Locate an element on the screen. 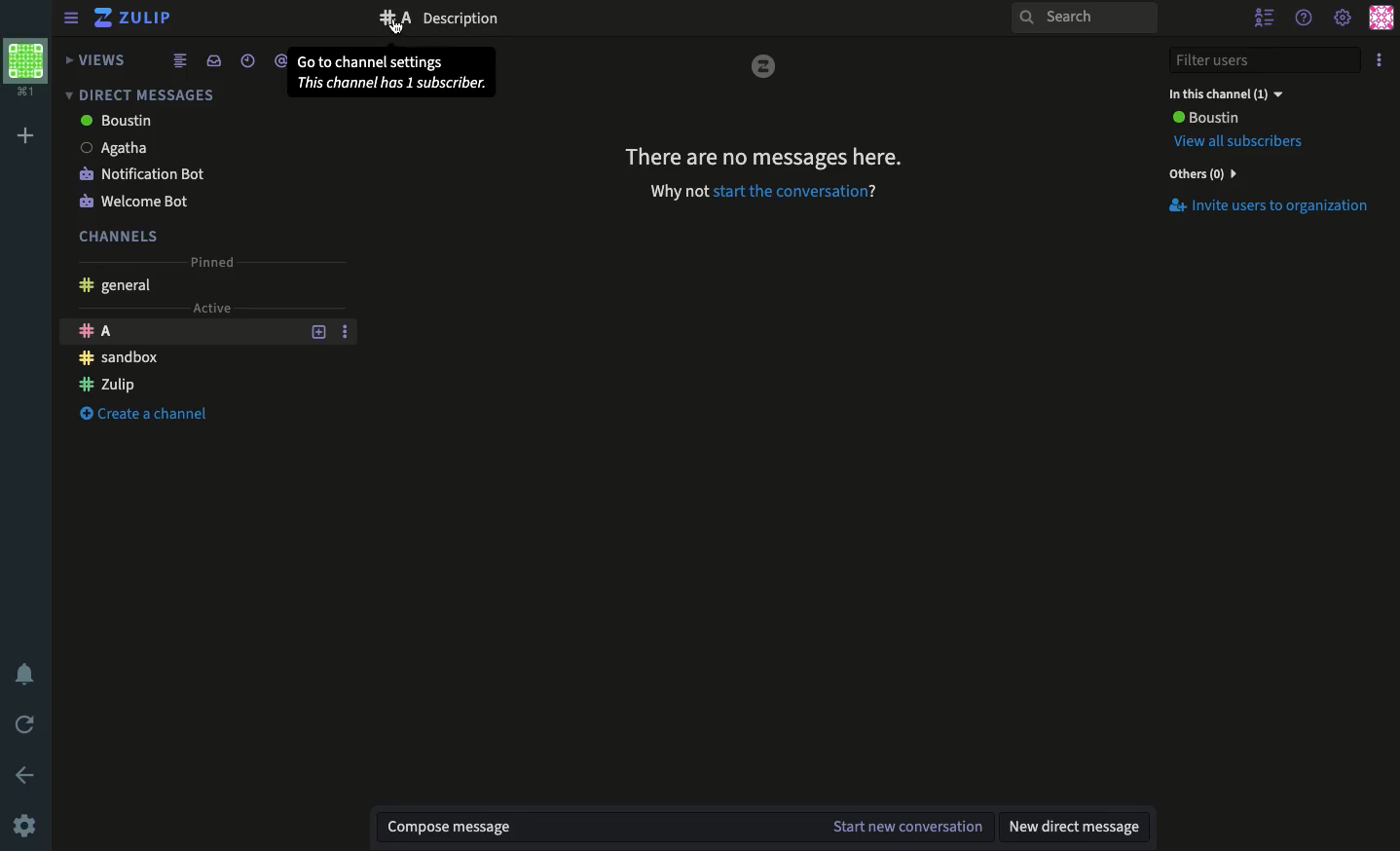 The height and width of the screenshot is (851, 1400). Back is located at coordinates (28, 774).